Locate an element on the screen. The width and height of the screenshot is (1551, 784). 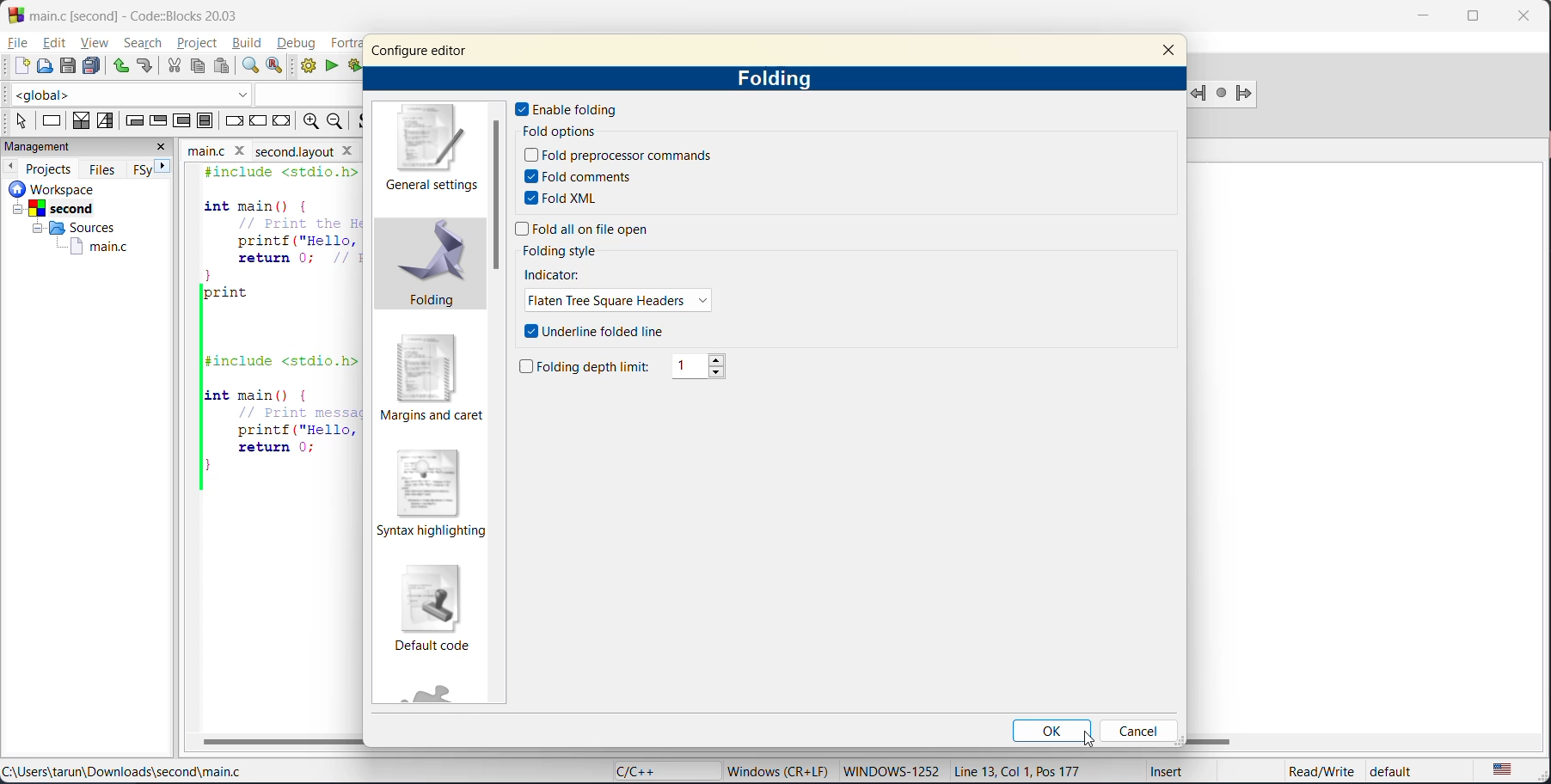
redo is located at coordinates (148, 68).